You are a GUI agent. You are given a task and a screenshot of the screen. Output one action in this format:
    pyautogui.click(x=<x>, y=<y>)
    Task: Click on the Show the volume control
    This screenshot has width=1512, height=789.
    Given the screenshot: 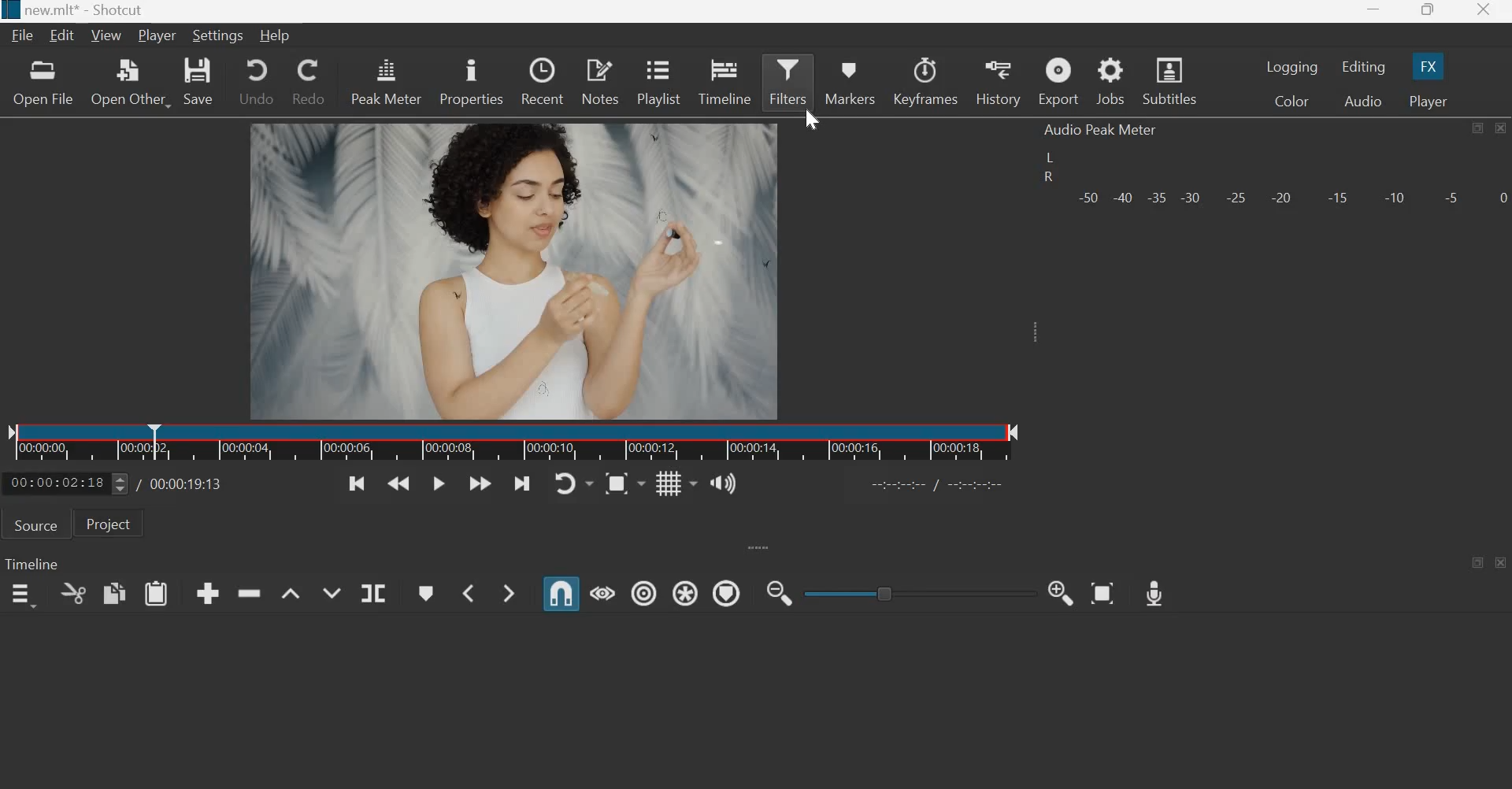 What is the action you would take?
    pyautogui.click(x=722, y=484)
    